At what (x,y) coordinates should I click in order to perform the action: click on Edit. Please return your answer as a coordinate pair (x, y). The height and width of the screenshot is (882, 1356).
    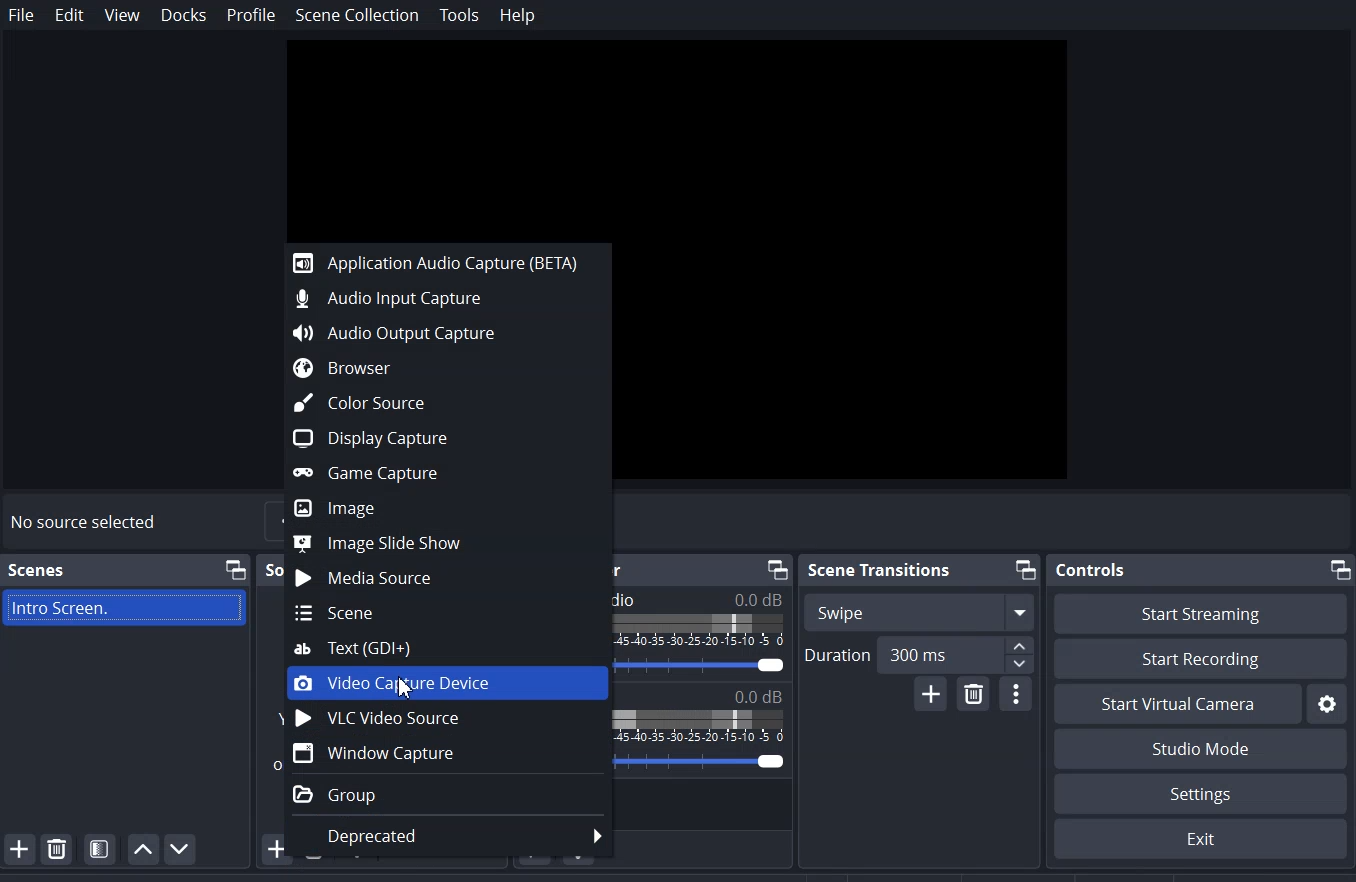
    Looking at the image, I should click on (71, 15).